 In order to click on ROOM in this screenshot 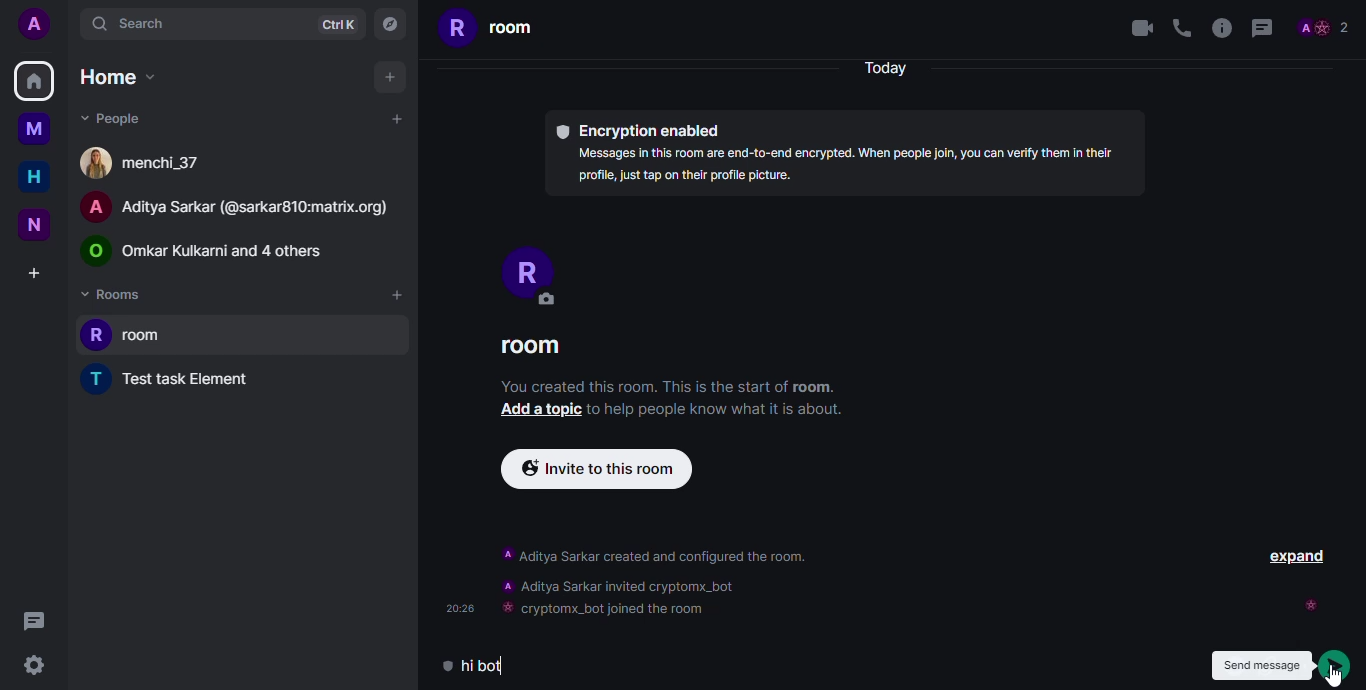, I will do `click(542, 349)`.